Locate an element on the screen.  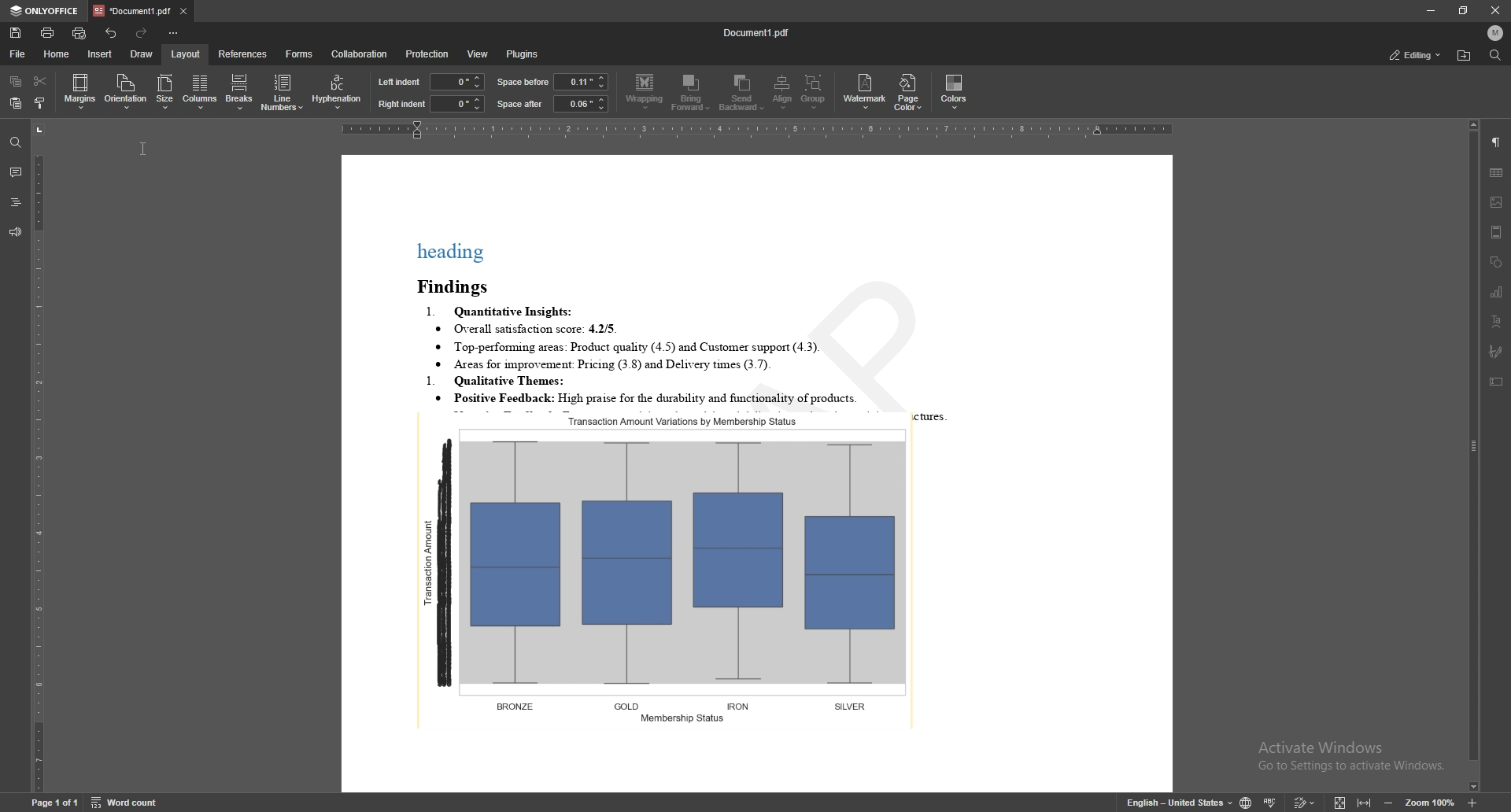
home is located at coordinates (57, 54).